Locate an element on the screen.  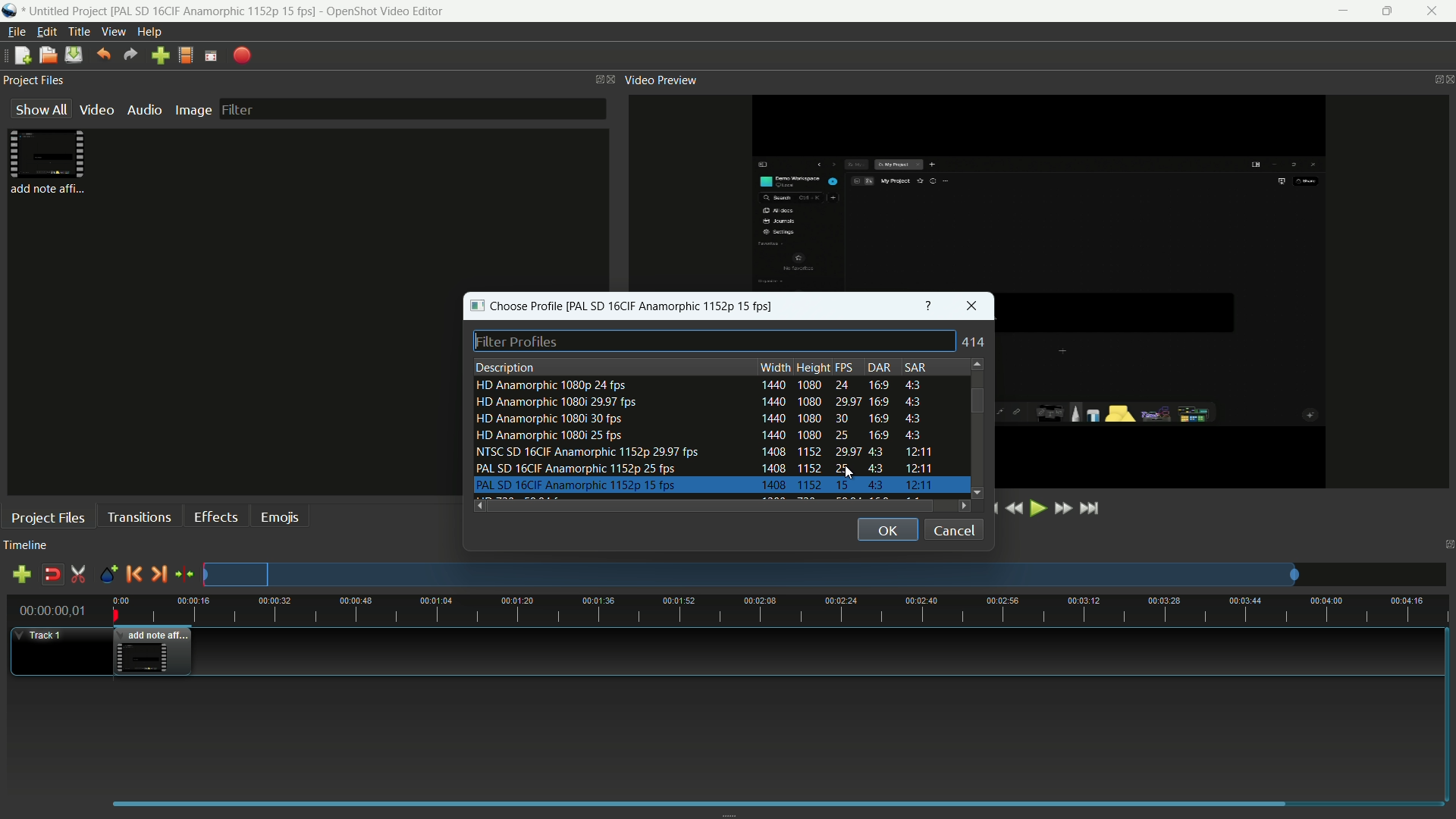
view menu is located at coordinates (111, 32).